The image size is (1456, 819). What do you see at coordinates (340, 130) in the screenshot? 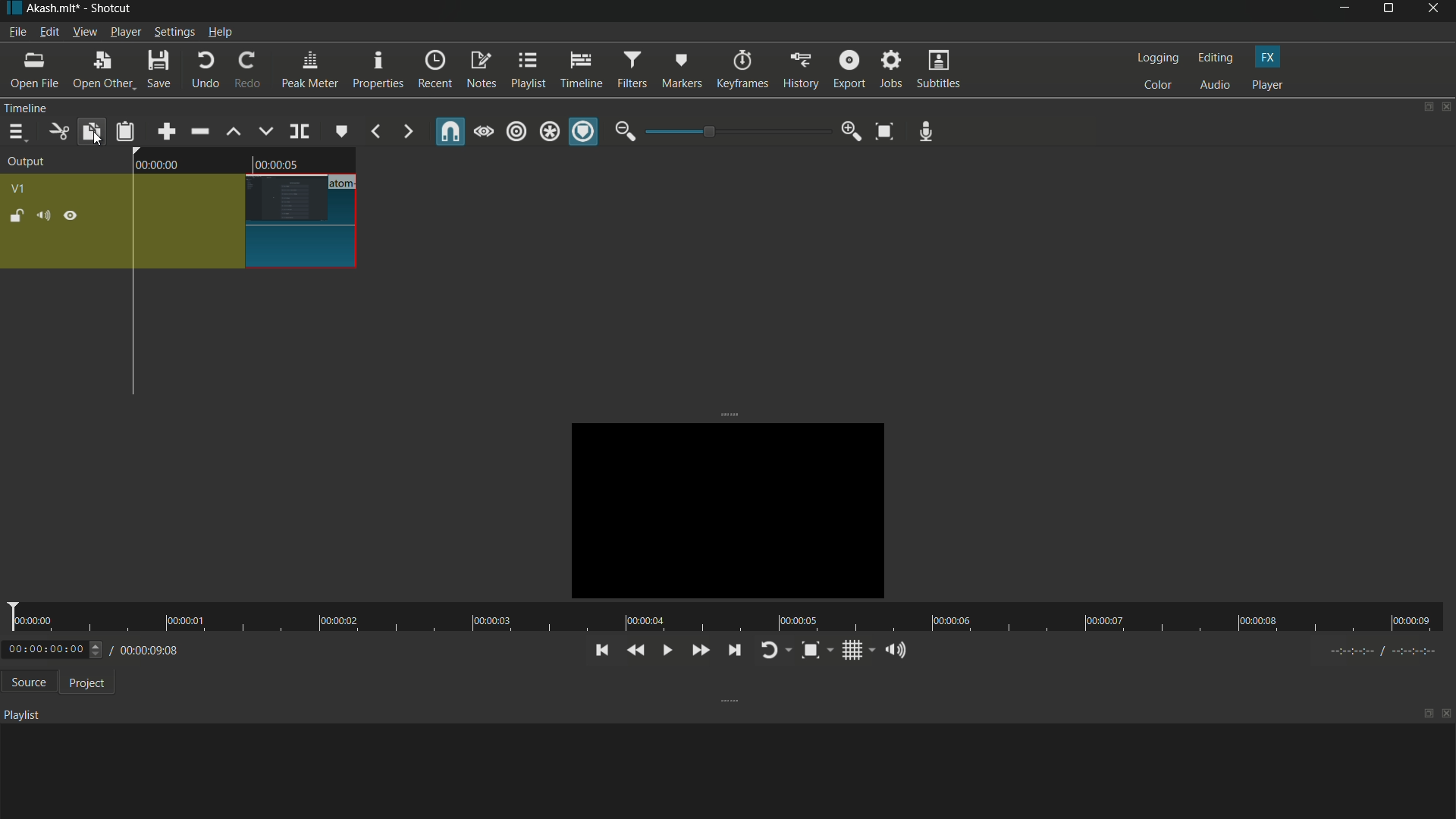
I see `create/edit marker` at bounding box center [340, 130].